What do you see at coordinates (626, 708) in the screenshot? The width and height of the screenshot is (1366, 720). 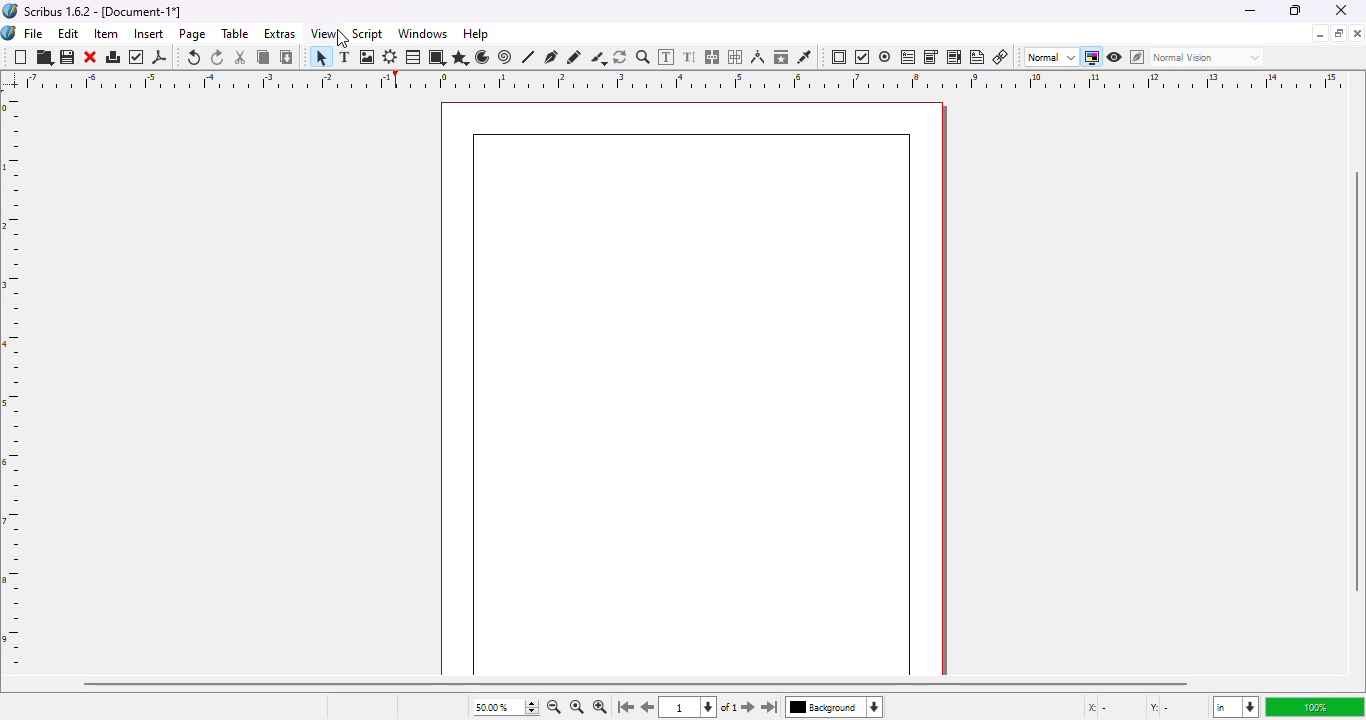 I see `go to the first page` at bounding box center [626, 708].